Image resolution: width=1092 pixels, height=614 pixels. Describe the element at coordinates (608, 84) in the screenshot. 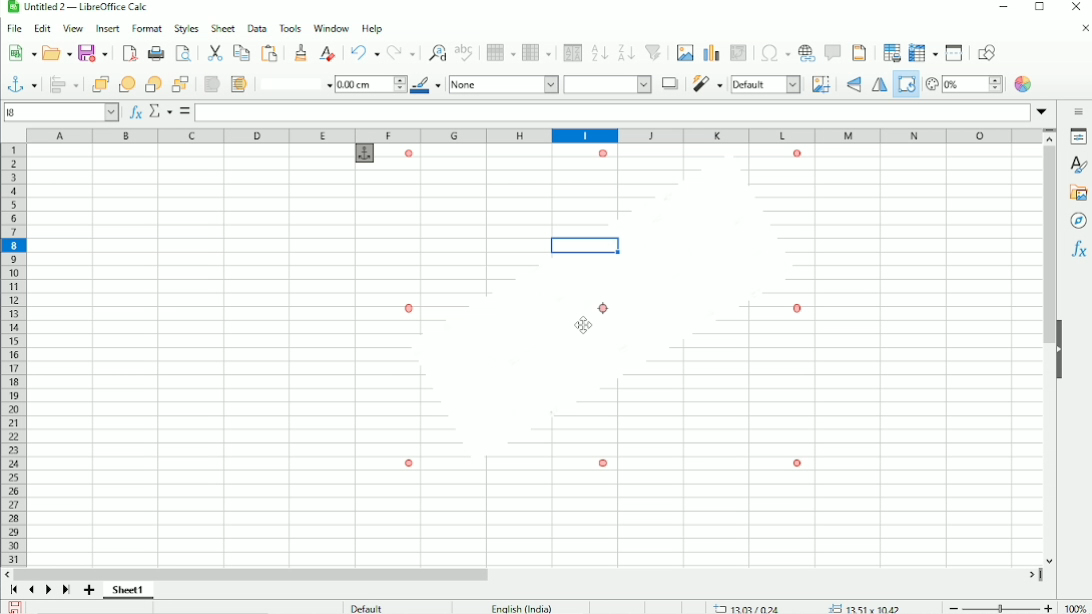

I see `Area style` at that location.